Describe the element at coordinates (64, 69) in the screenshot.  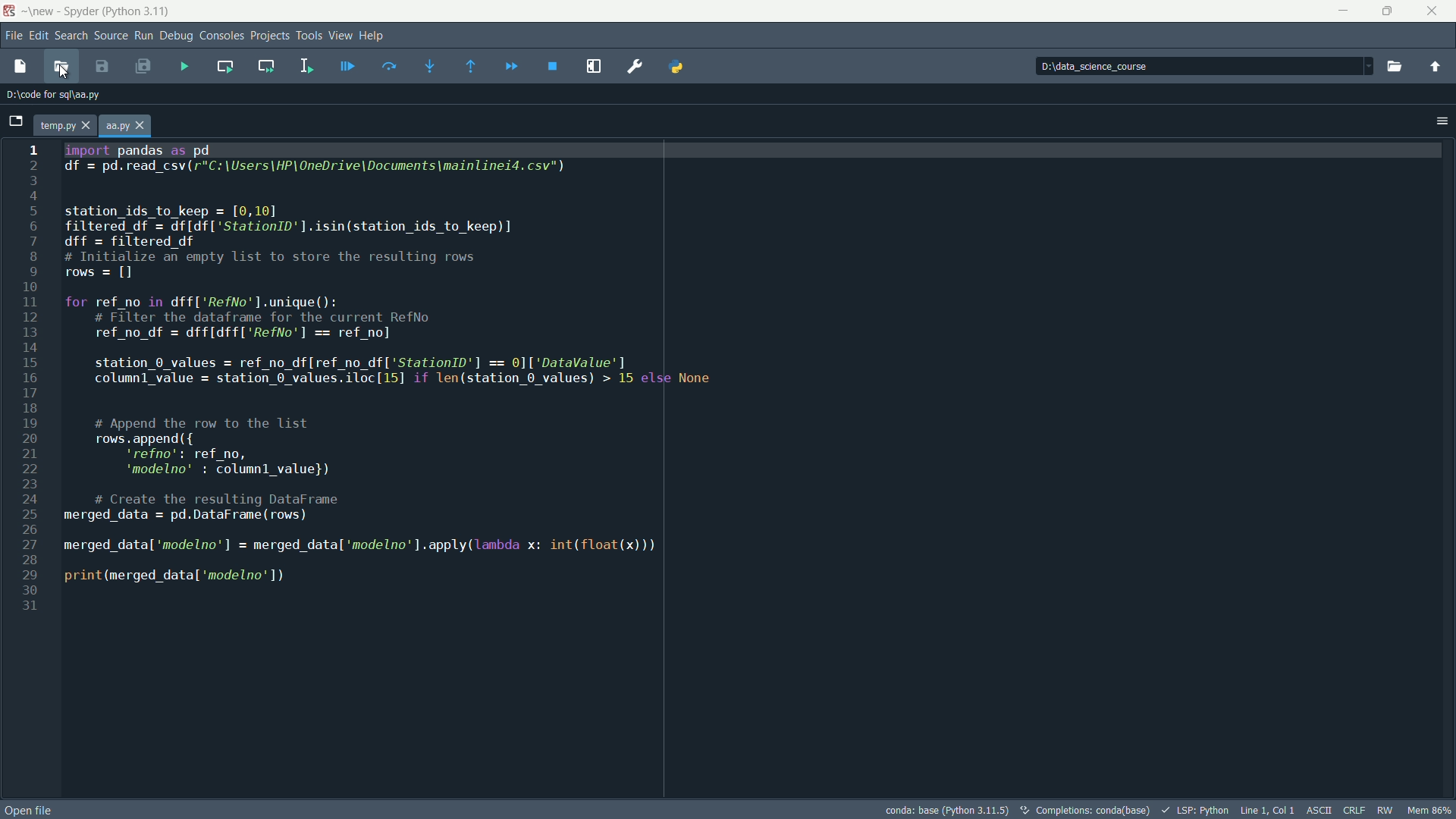
I see `open file` at that location.